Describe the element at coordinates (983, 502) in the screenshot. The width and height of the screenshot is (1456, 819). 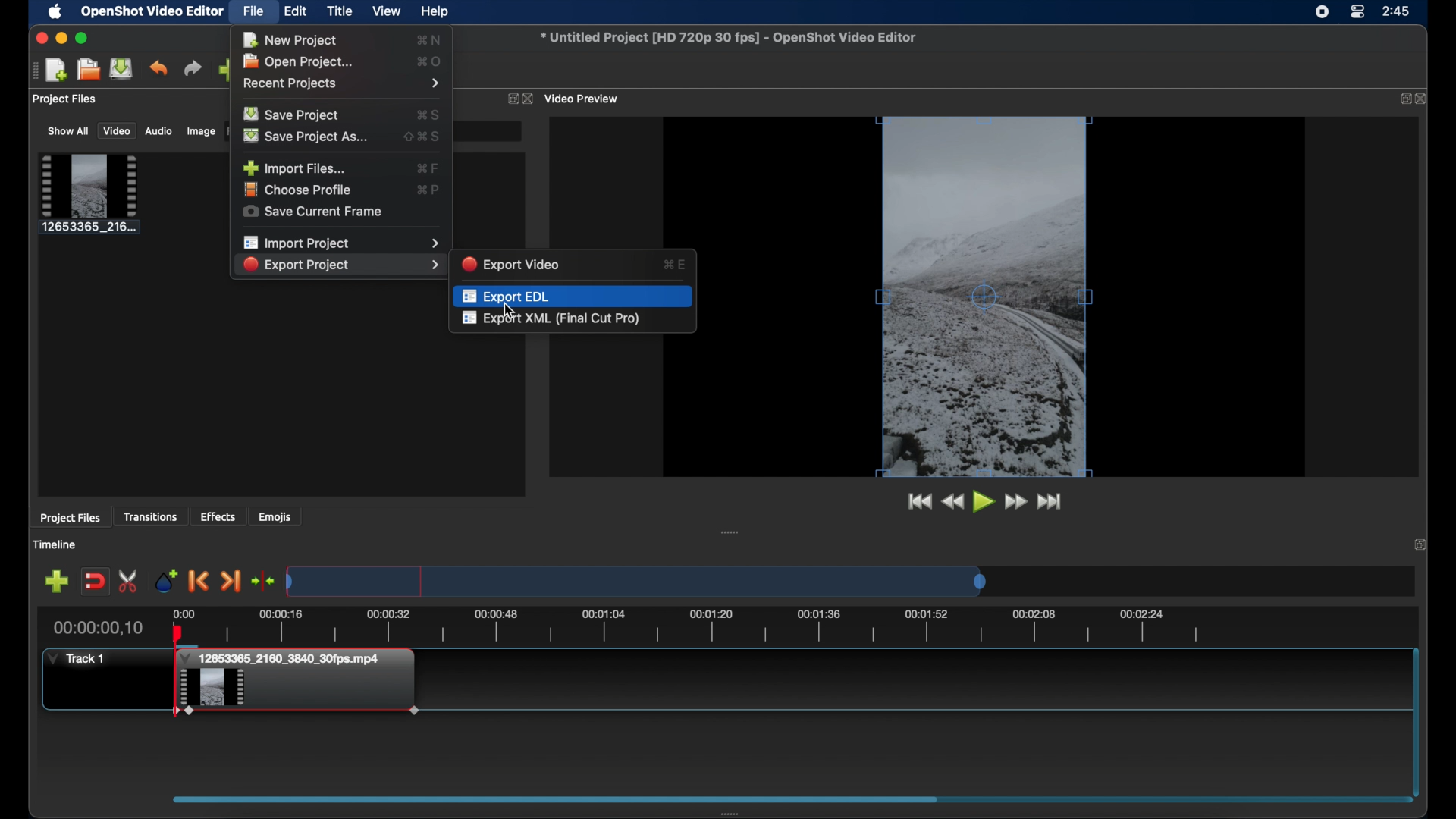
I see `play` at that location.